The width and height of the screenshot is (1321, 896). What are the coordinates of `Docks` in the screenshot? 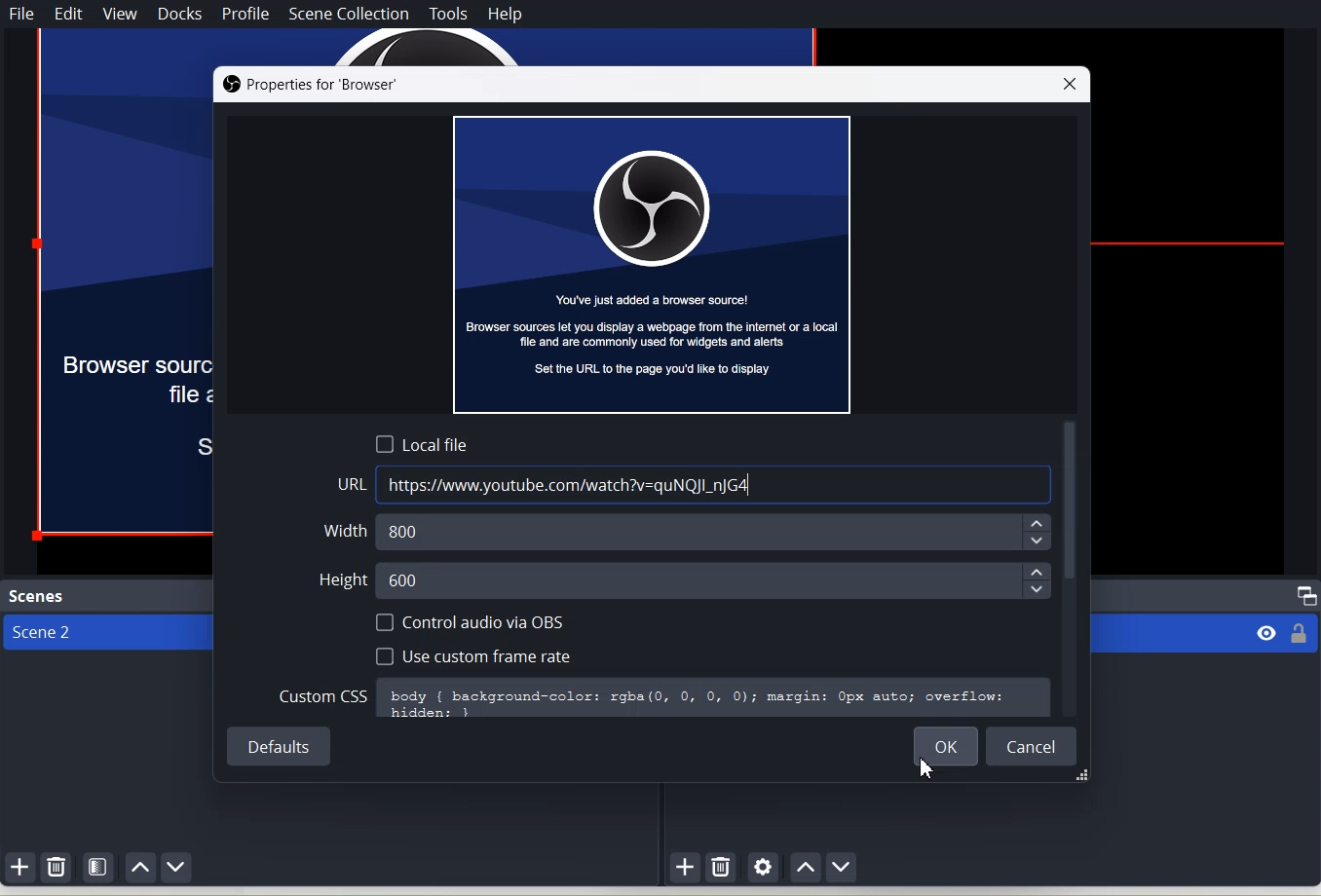 It's located at (182, 15).